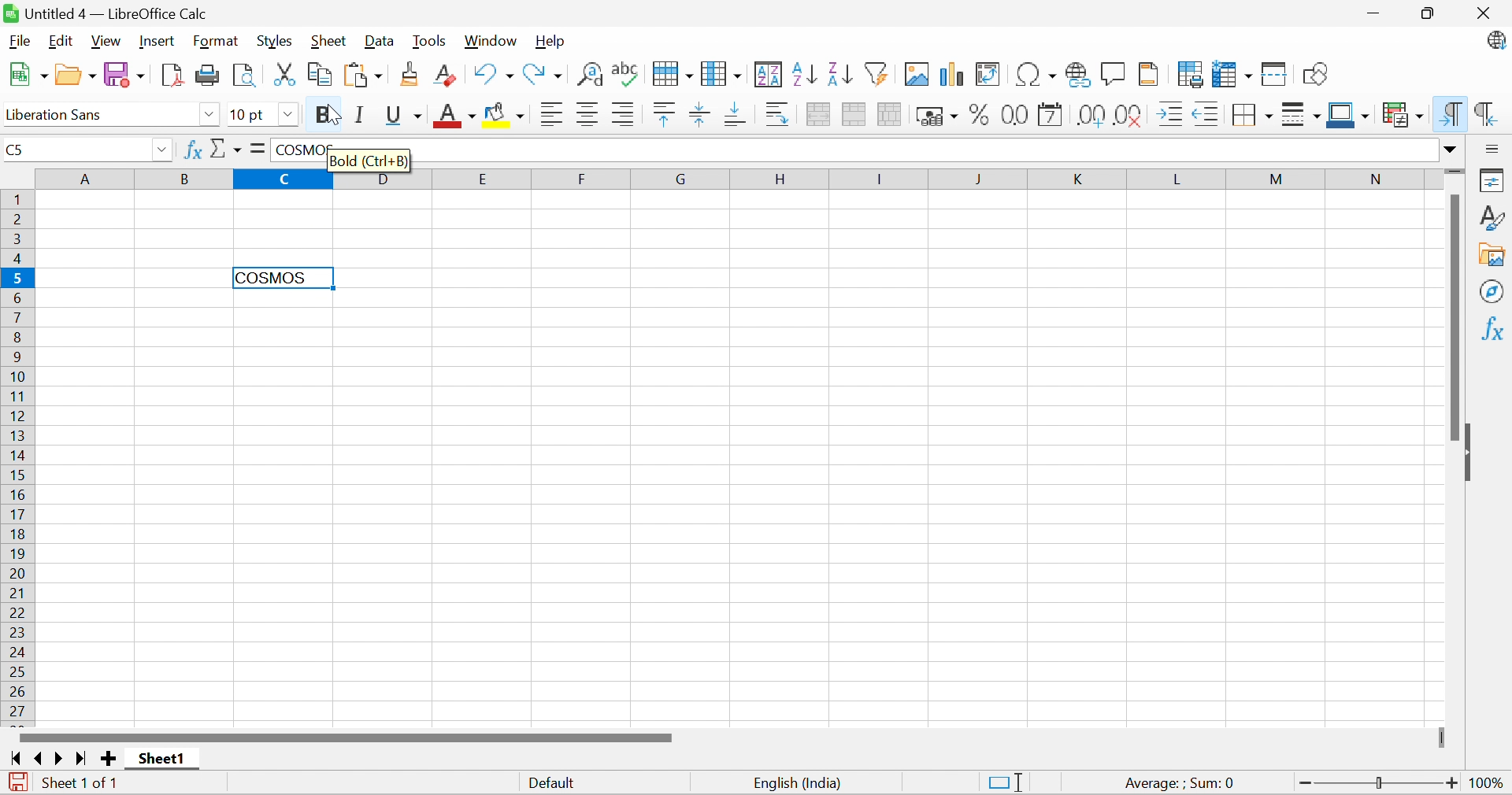  What do you see at coordinates (854, 115) in the screenshot?
I see `Merge Cells` at bounding box center [854, 115].